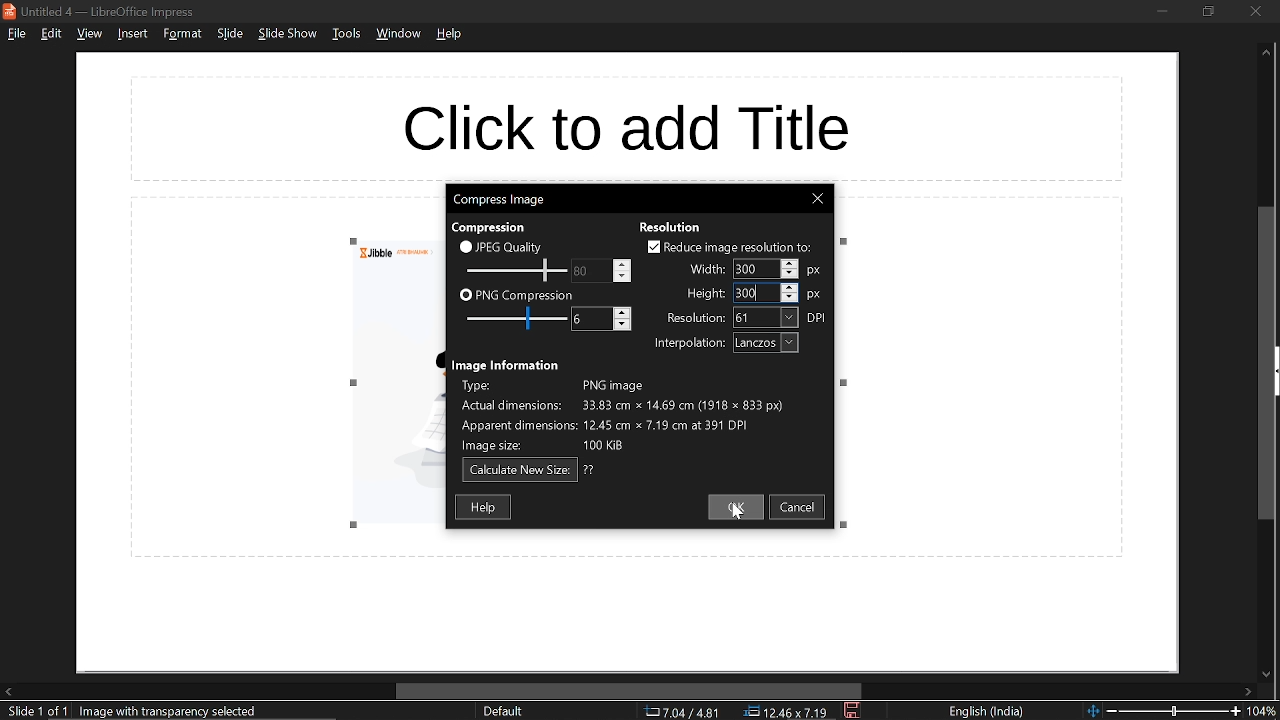  What do you see at coordinates (625, 690) in the screenshot?
I see `horizontal scrollbar` at bounding box center [625, 690].